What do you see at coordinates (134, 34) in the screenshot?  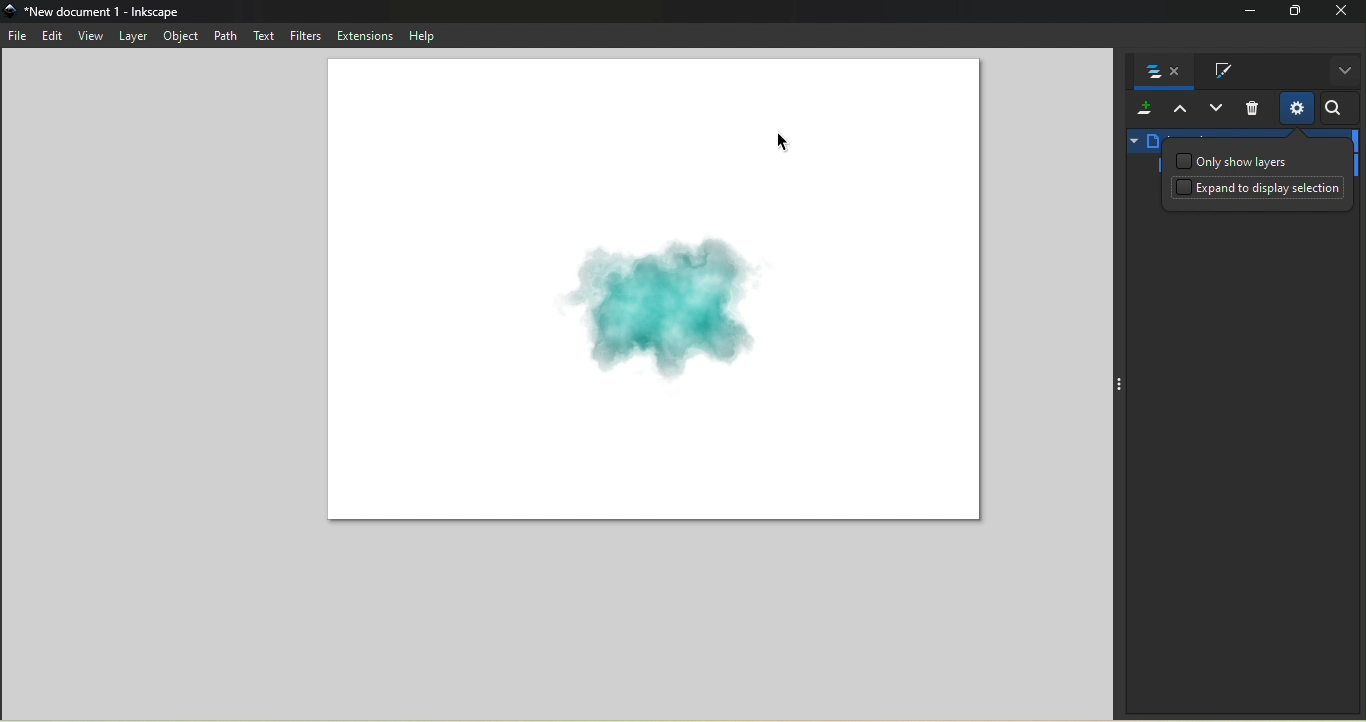 I see `Layer` at bounding box center [134, 34].